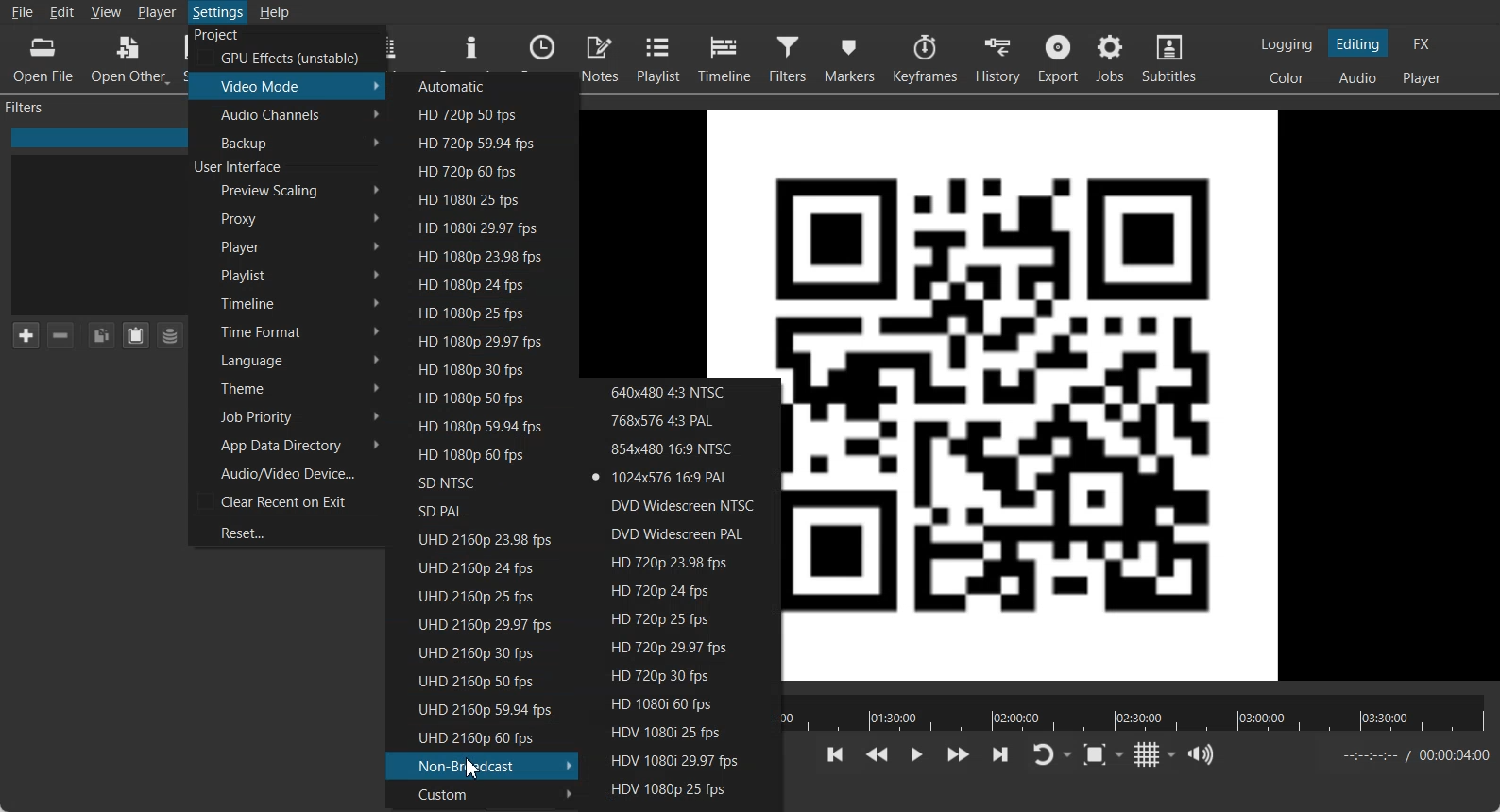 The image size is (1500, 812). What do you see at coordinates (474, 651) in the screenshot?
I see `UHD 2160p 30 fps` at bounding box center [474, 651].